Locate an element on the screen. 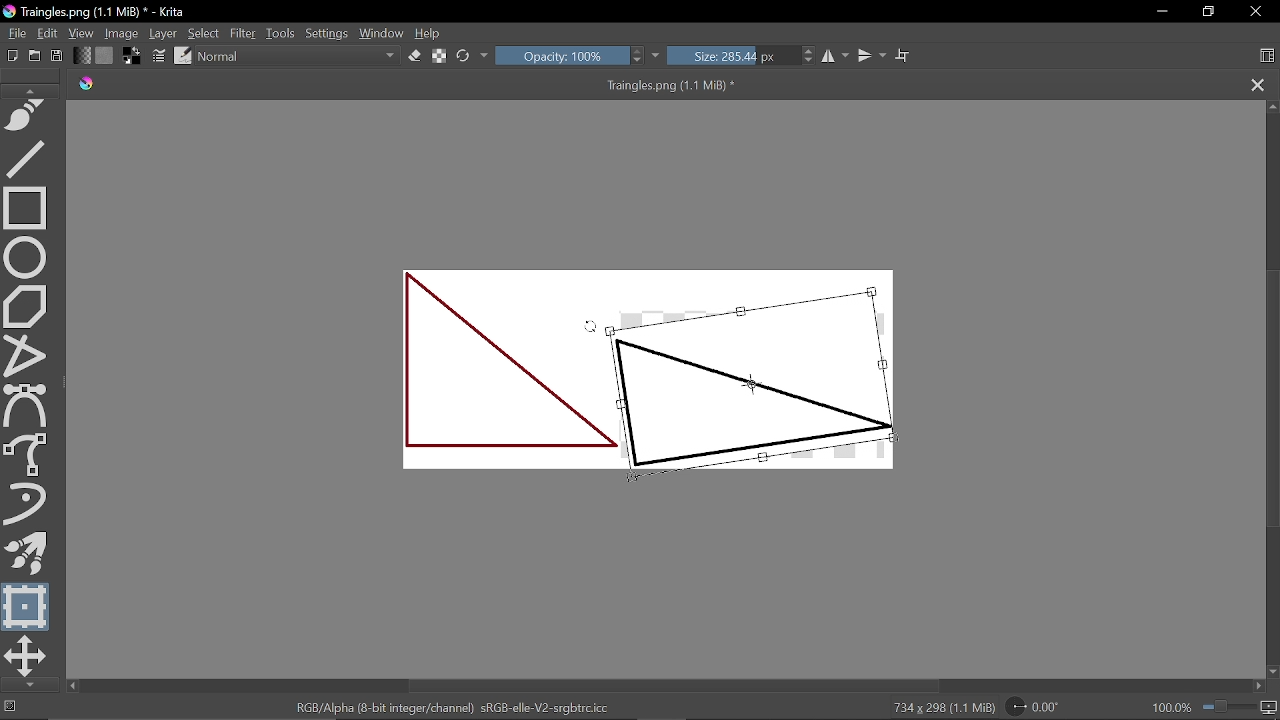 This screenshot has height=720, width=1280. Rotate is located at coordinates (1042, 706).